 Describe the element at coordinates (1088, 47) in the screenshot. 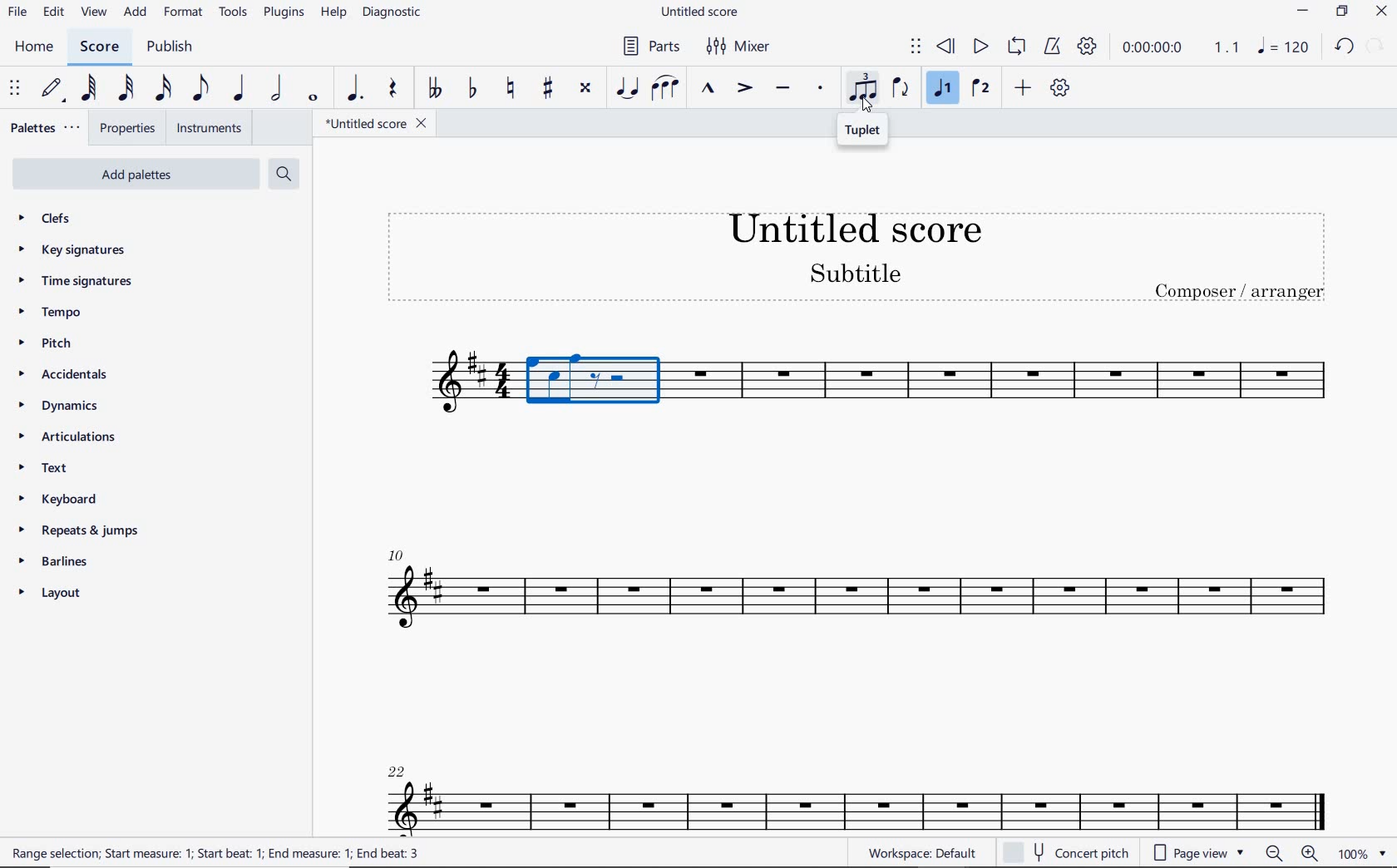

I see `PLAYBACK SETTINGS` at that location.